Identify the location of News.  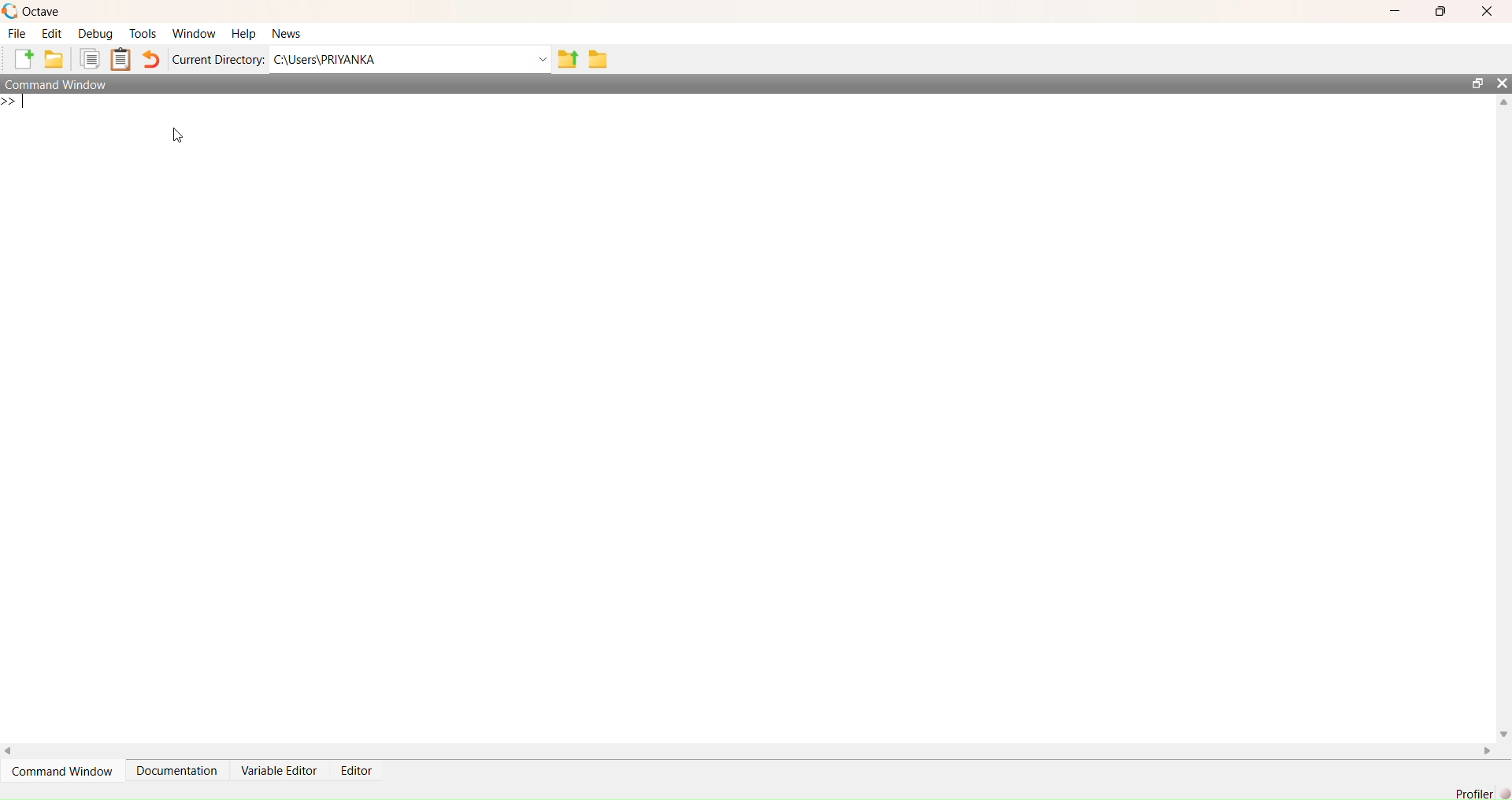
(286, 32).